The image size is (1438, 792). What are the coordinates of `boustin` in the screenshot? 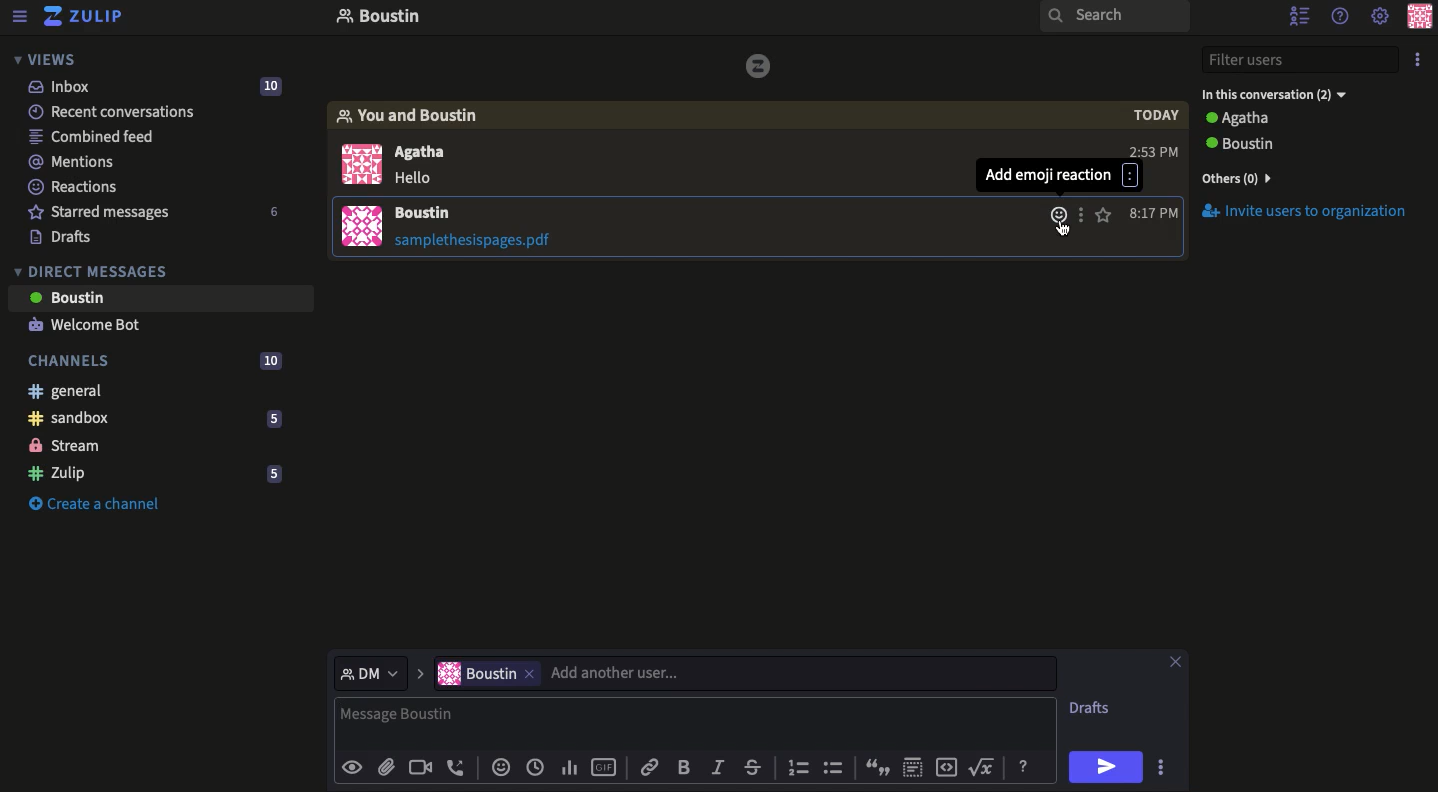 It's located at (476, 673).